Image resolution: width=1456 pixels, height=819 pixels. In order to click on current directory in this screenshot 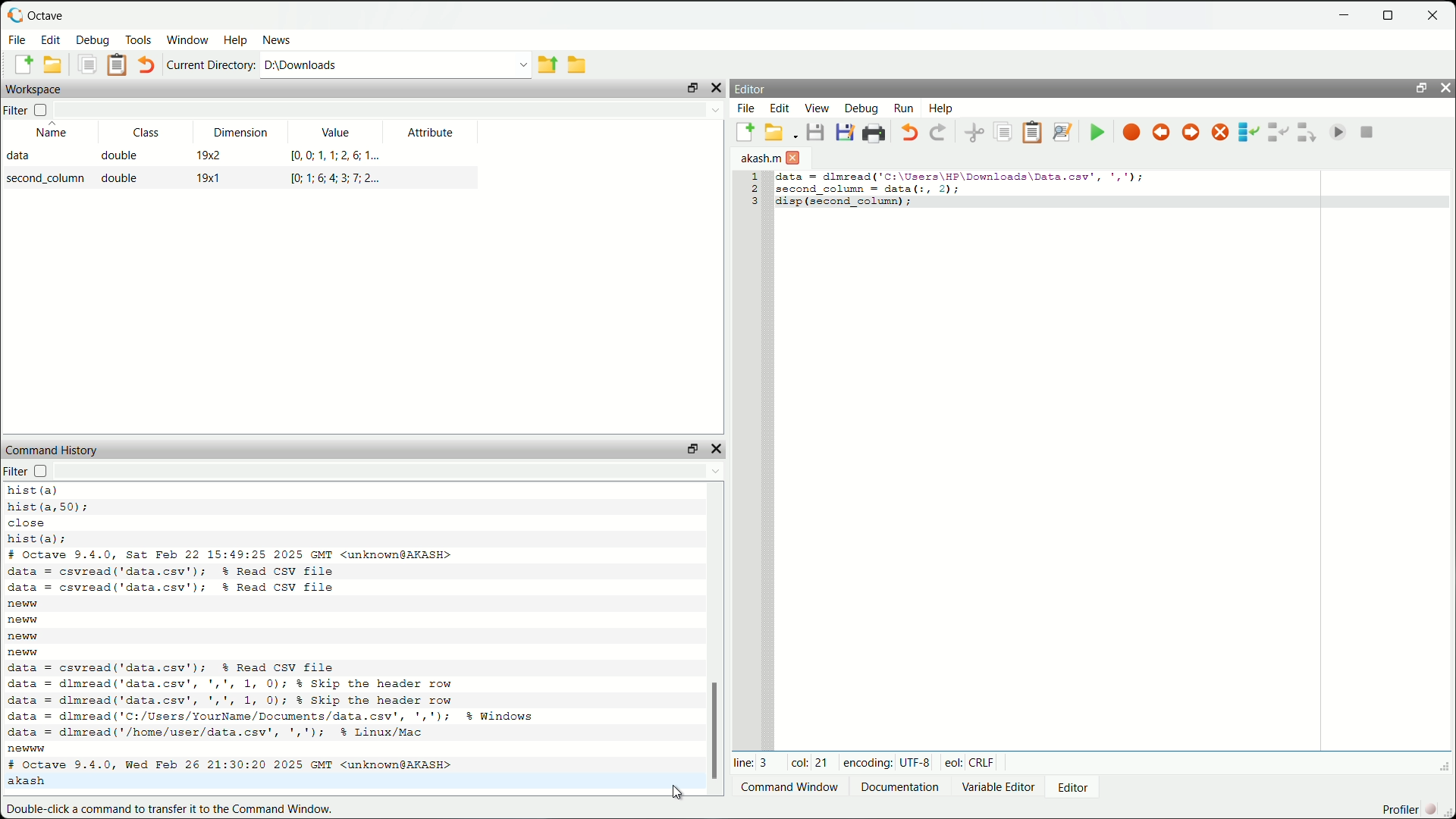, I will do `click(211, 66)`.